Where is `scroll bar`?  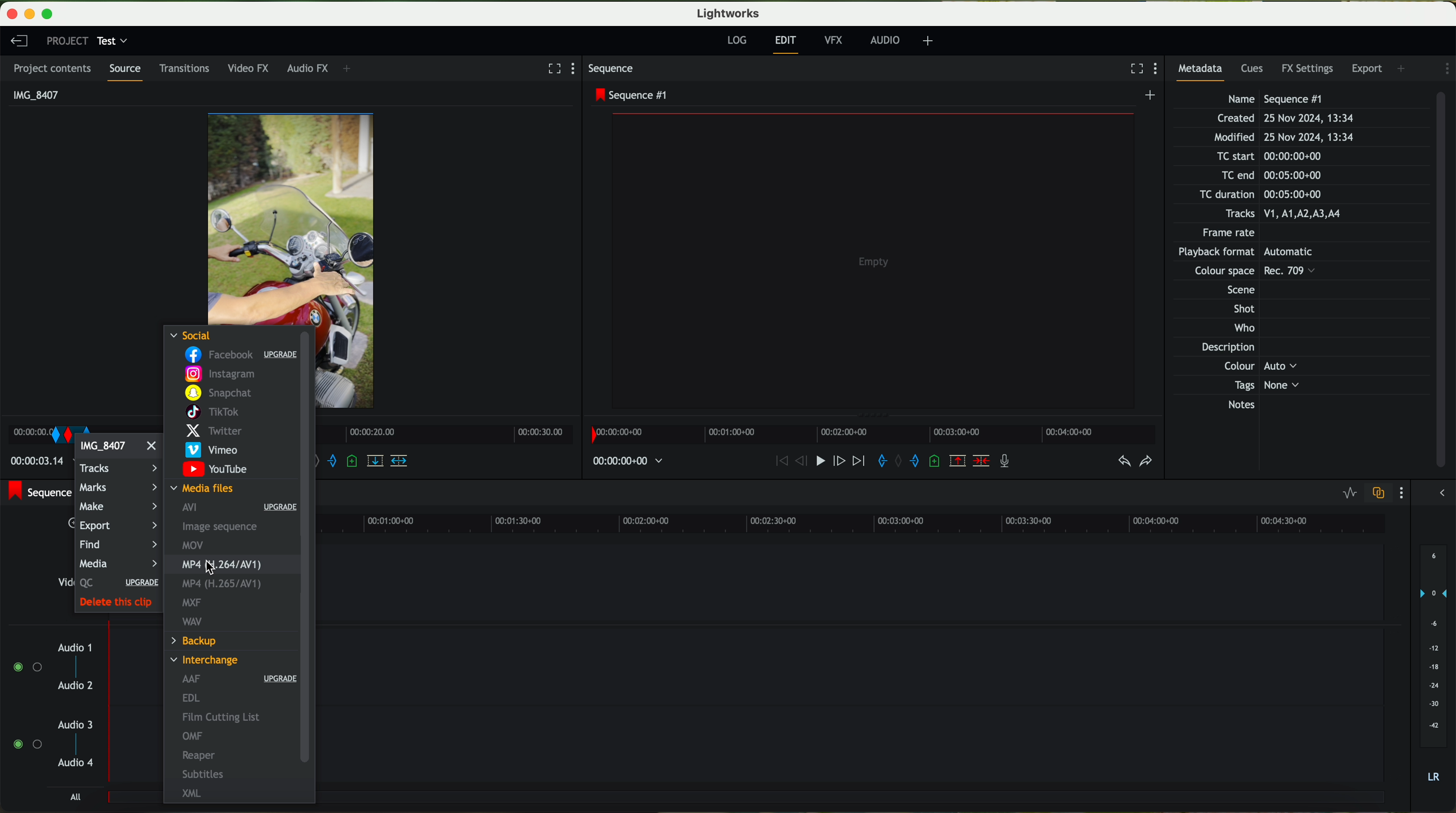 scroll bar is located at coordinates (306, 548).